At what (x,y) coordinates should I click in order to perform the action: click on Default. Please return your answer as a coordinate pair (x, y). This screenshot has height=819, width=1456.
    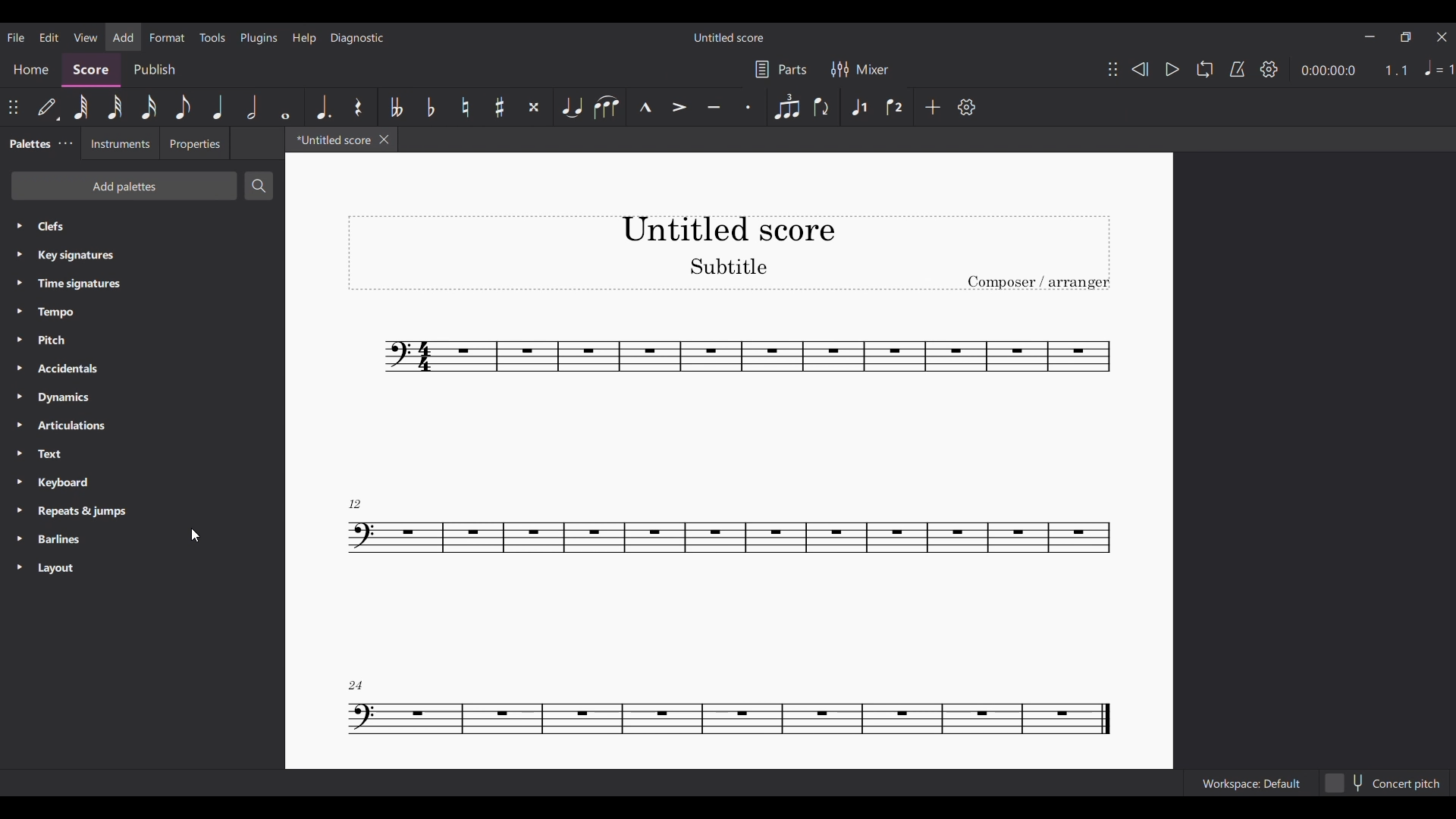
    Looking at the image, I should click on (897, 105).